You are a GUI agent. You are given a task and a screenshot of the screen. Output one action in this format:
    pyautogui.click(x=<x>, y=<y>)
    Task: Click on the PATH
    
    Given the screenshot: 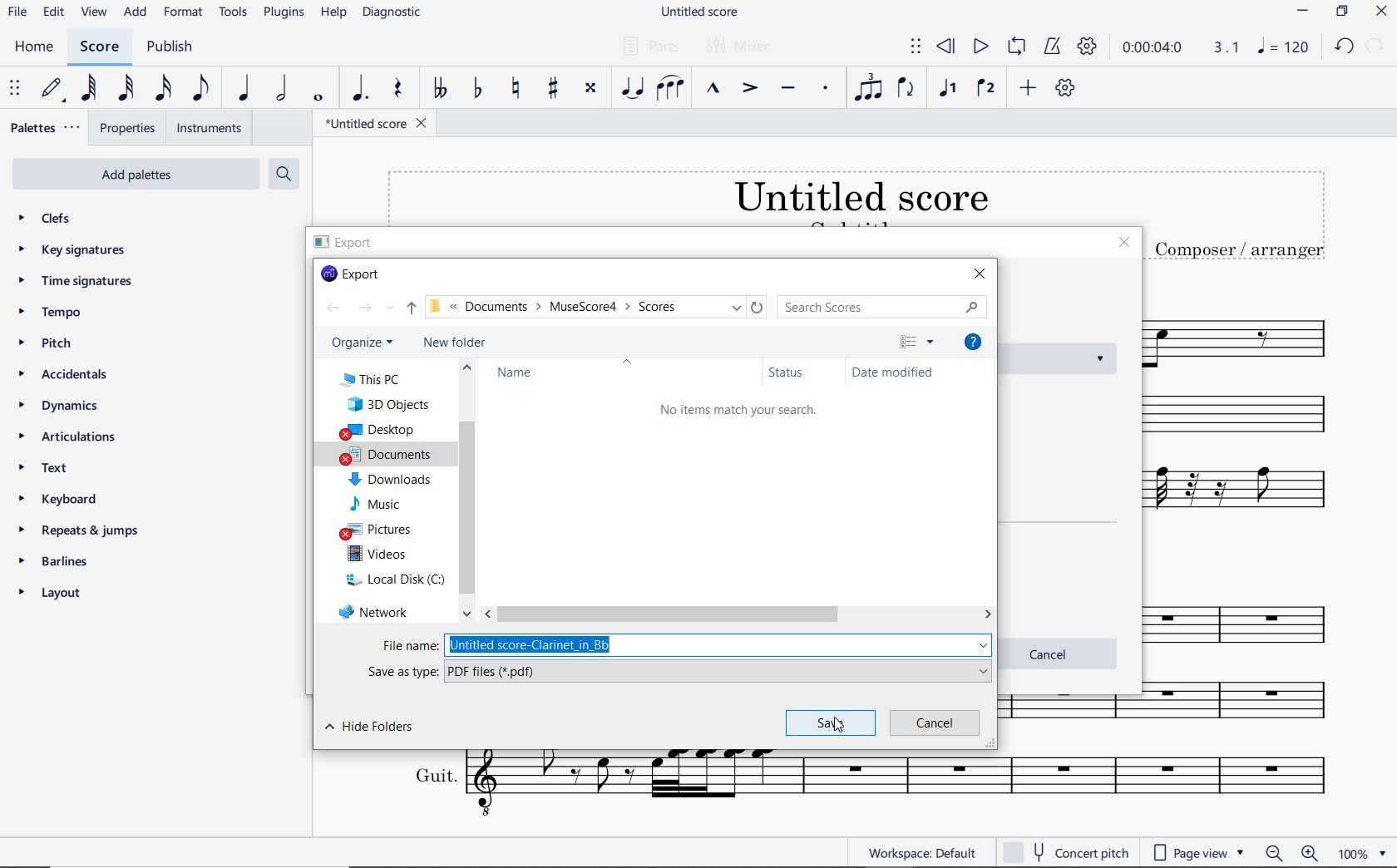 What is the action you would take?
    pyautogui.click(x=596, y=307)
    